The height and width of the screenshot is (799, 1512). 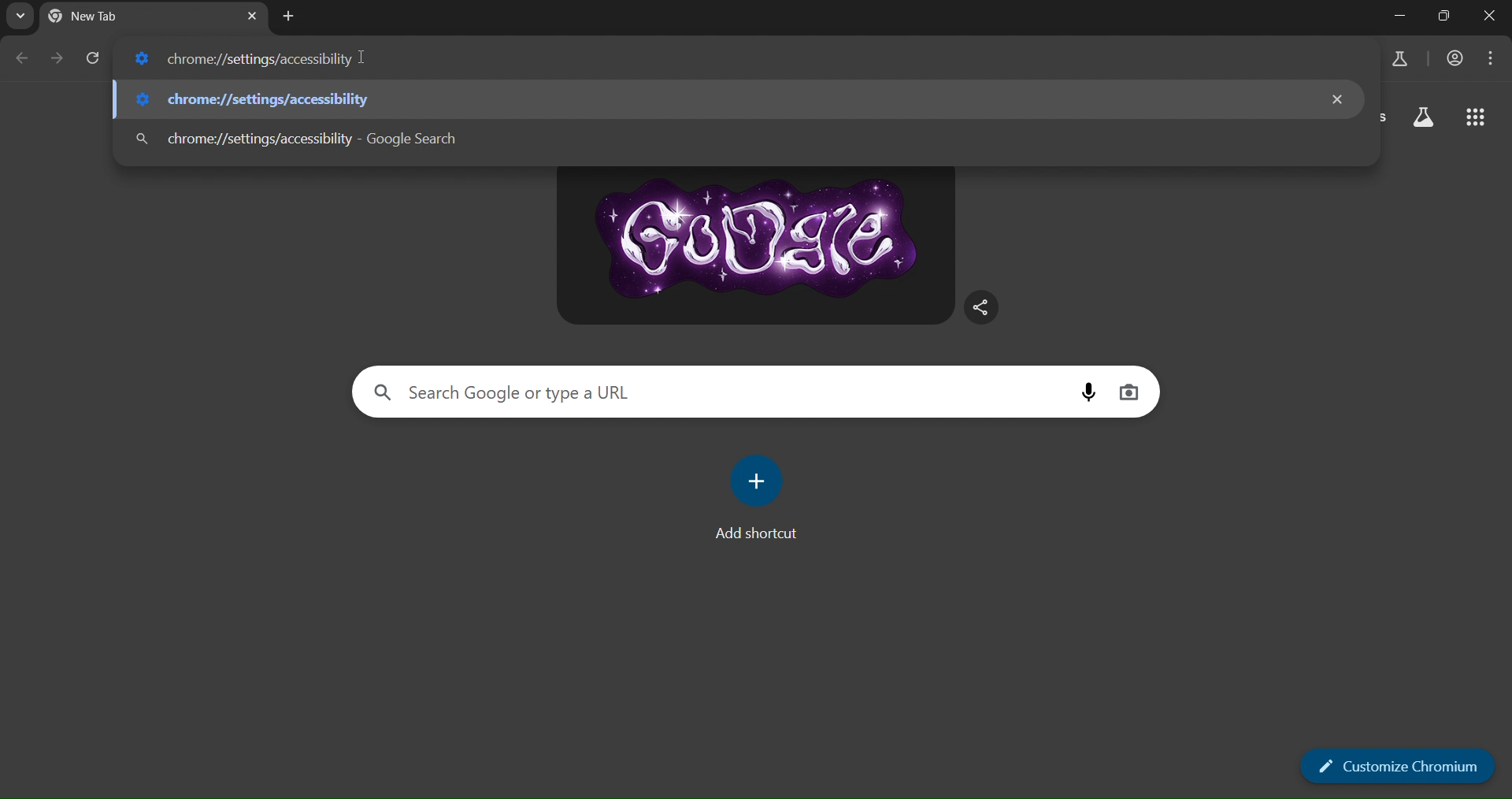 I want to click on search tabs, so click(x=18, y=18).